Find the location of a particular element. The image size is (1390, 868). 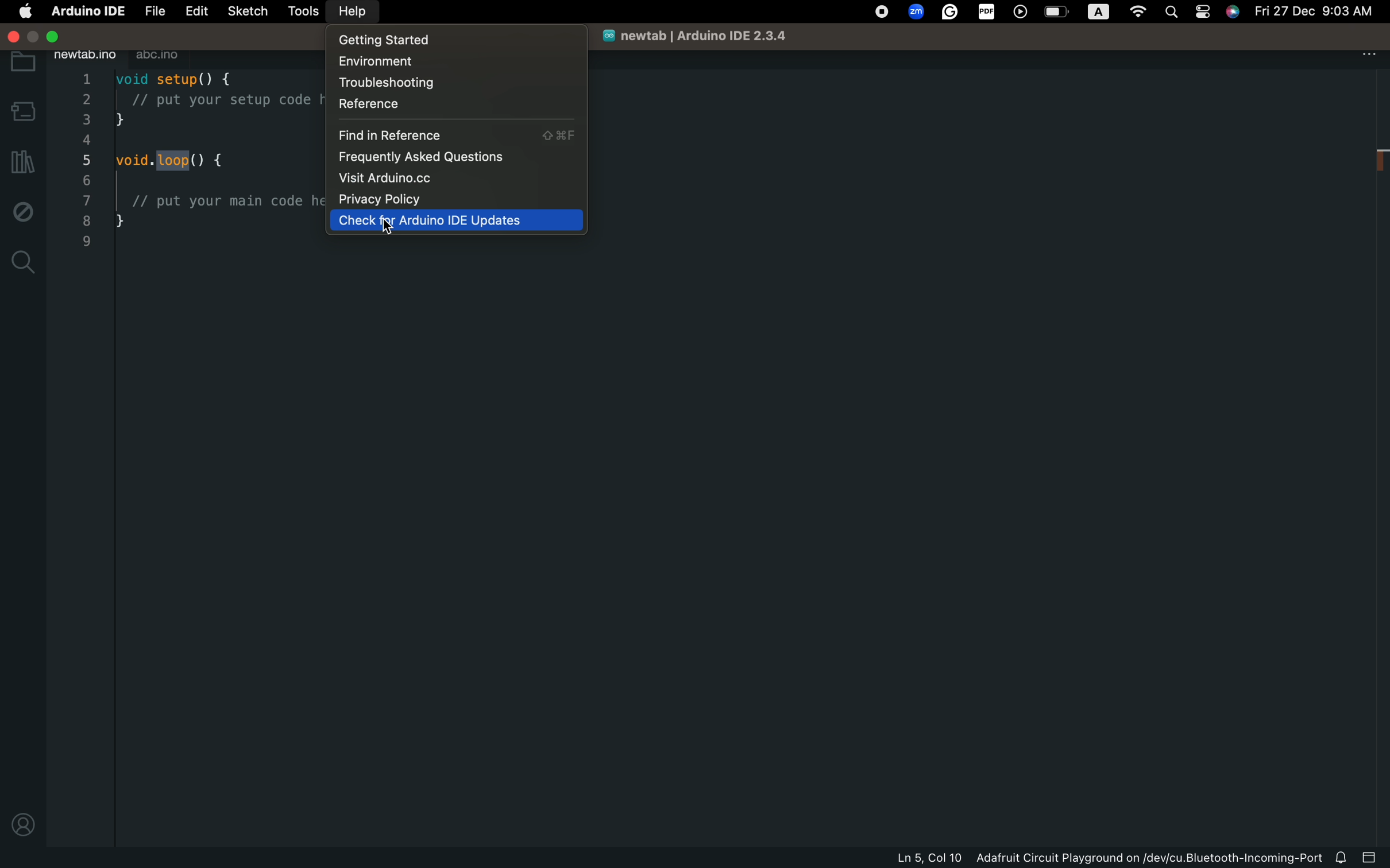

Fri 27 Dec 9:03 AM is located at coordinates (1315, 11).